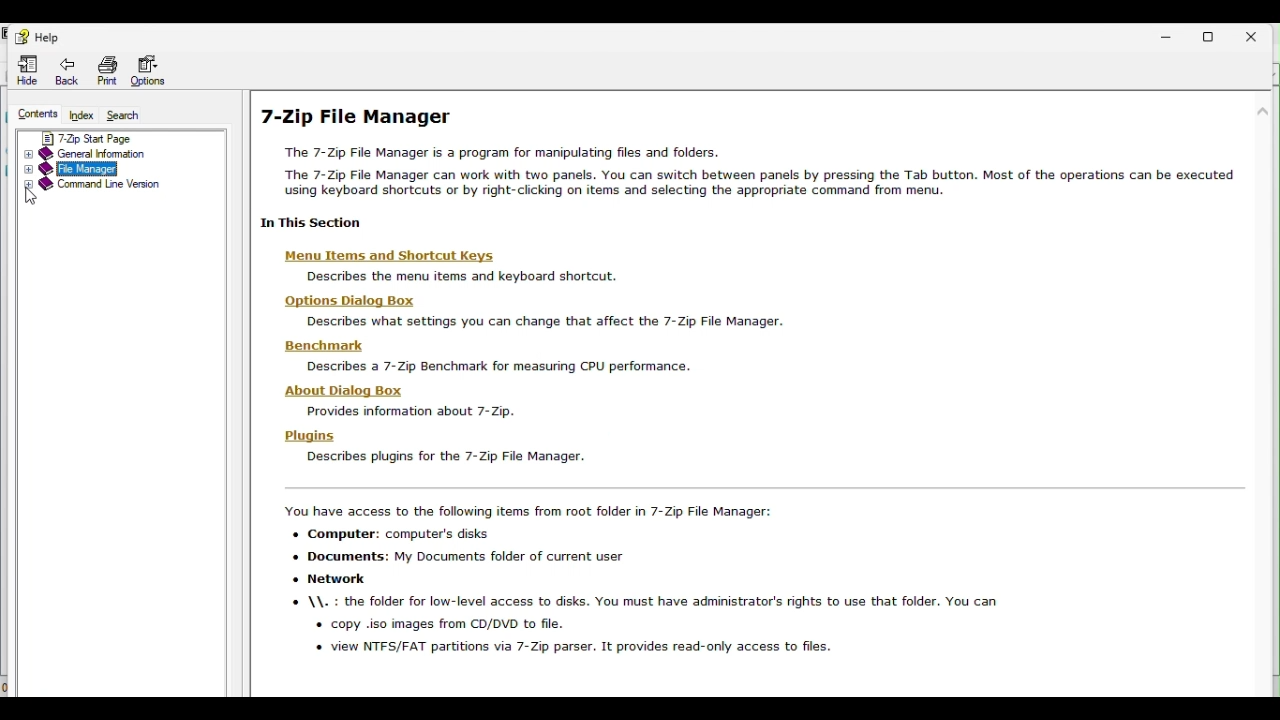 Image resolution: width=1280 pixels, height=720 pixels. I want to click on description text, so click(539, 323).